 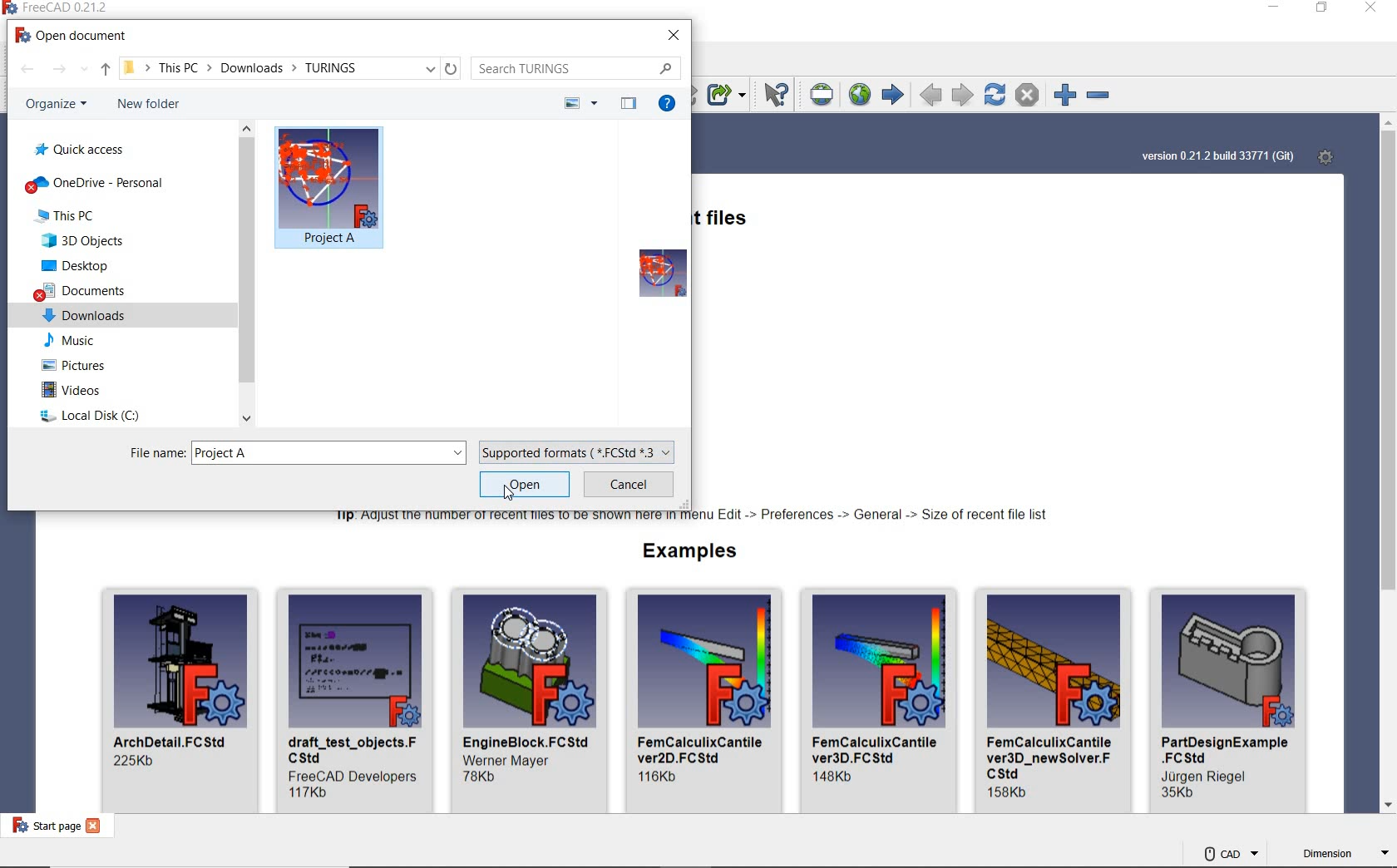 What do you see at coordinates (12, 7) in the screenshot?
I see `logo` at bounding box center [12, 7].